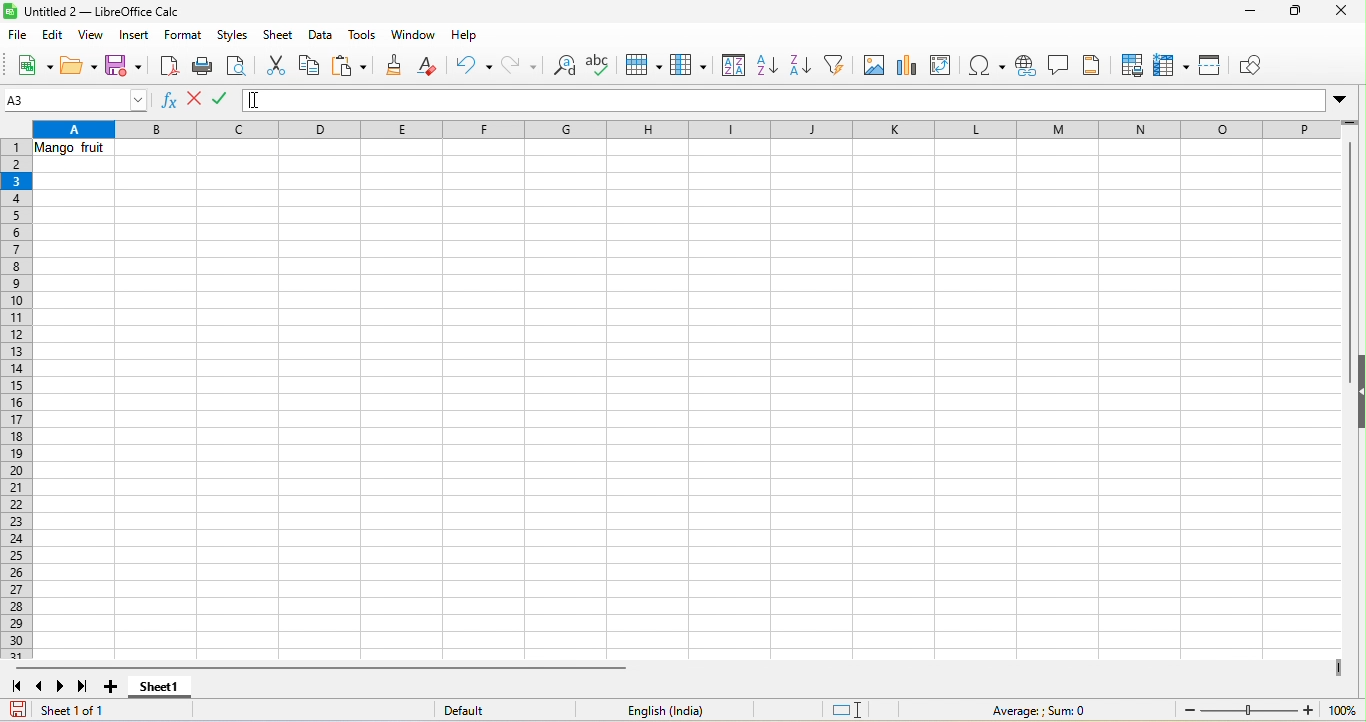  I want to click on sort ascending, so click(765, 67).